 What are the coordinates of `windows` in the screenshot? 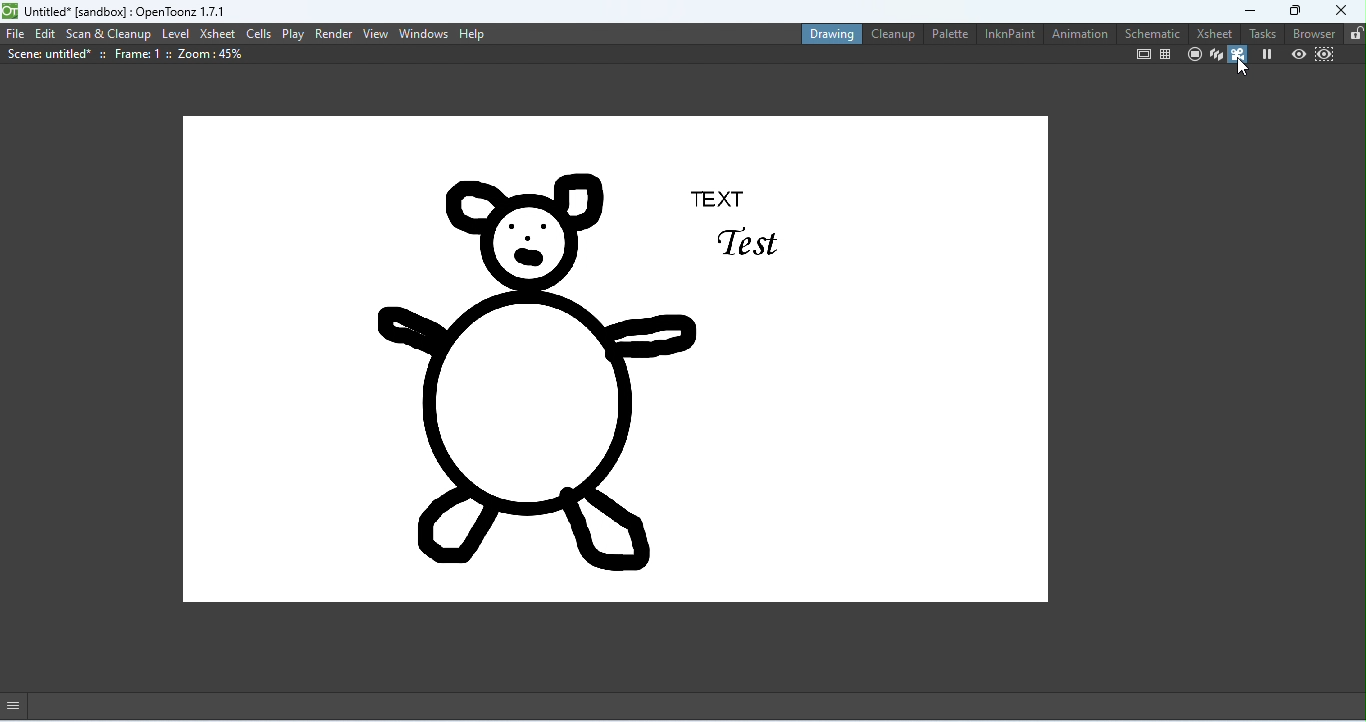 It's located at (424, 33).